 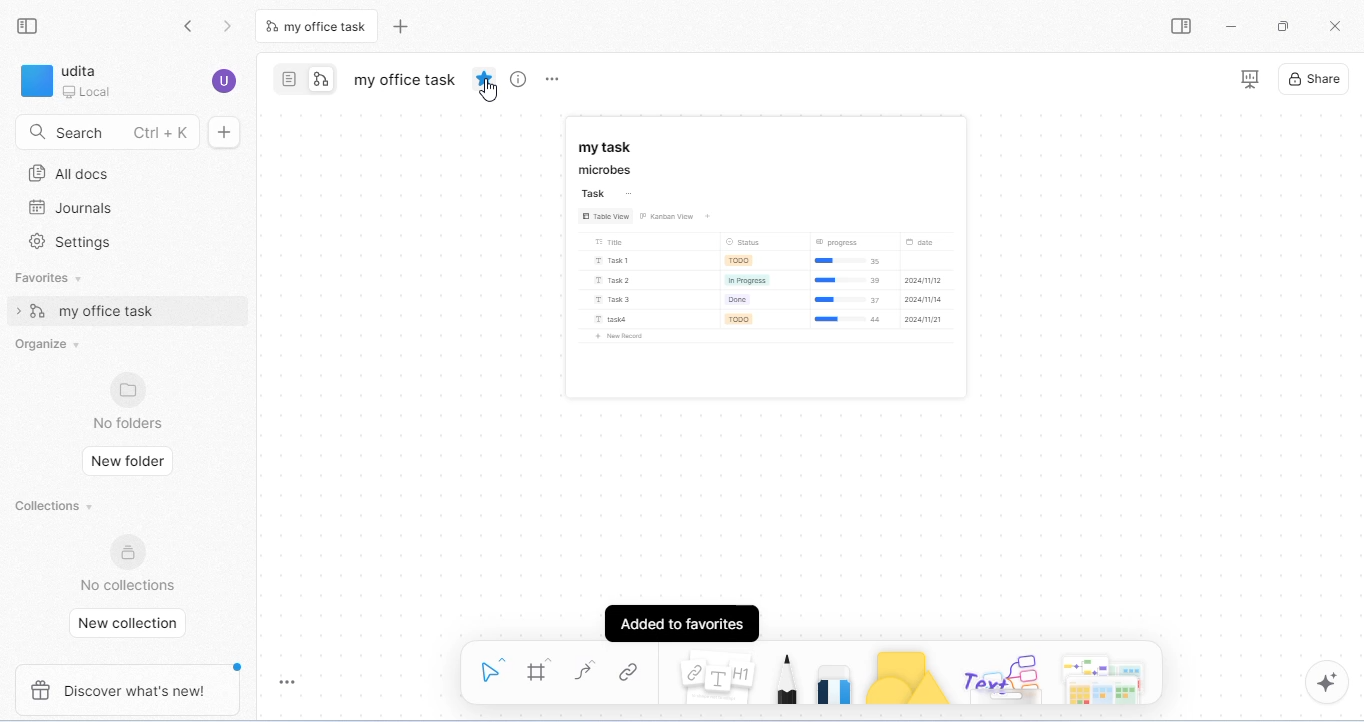 What do you see at coordinates (1232, 27) in the screenshot?
I see `minimize` at bounding box center [1232, 27].